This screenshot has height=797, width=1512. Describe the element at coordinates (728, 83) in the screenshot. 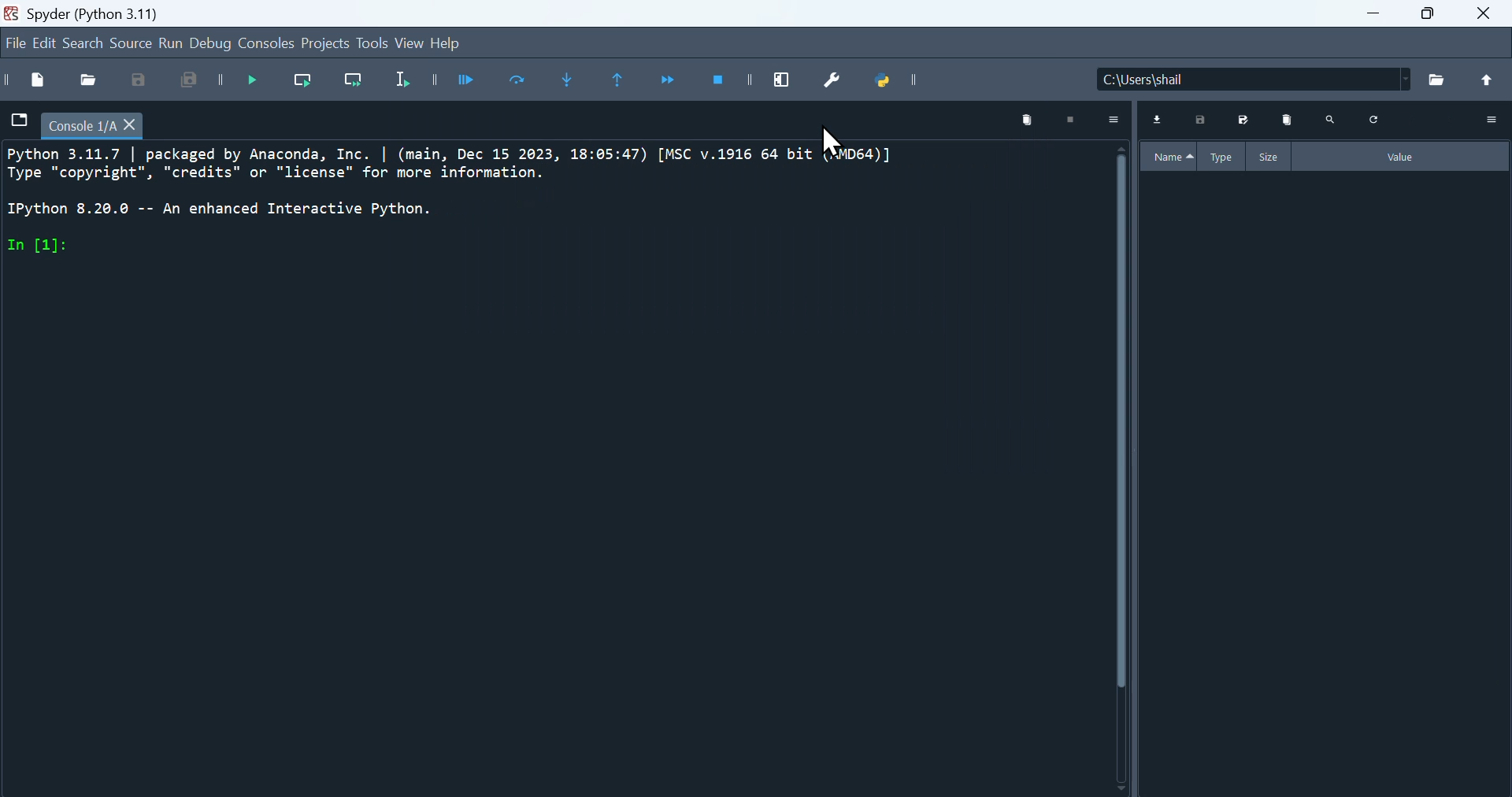

I see `Stop debugging` at that location.